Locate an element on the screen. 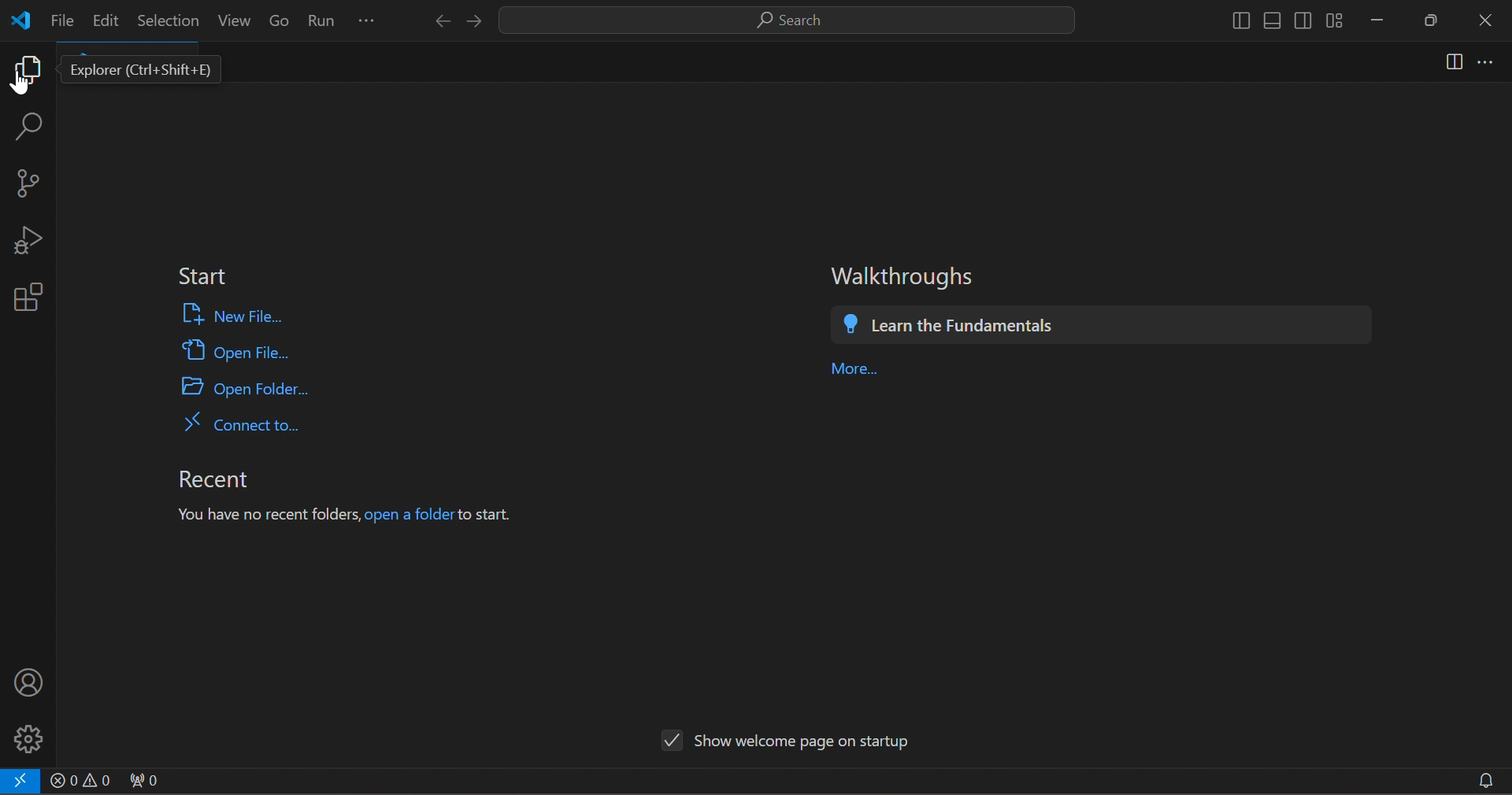  new project is located at coordinates (32, 183).